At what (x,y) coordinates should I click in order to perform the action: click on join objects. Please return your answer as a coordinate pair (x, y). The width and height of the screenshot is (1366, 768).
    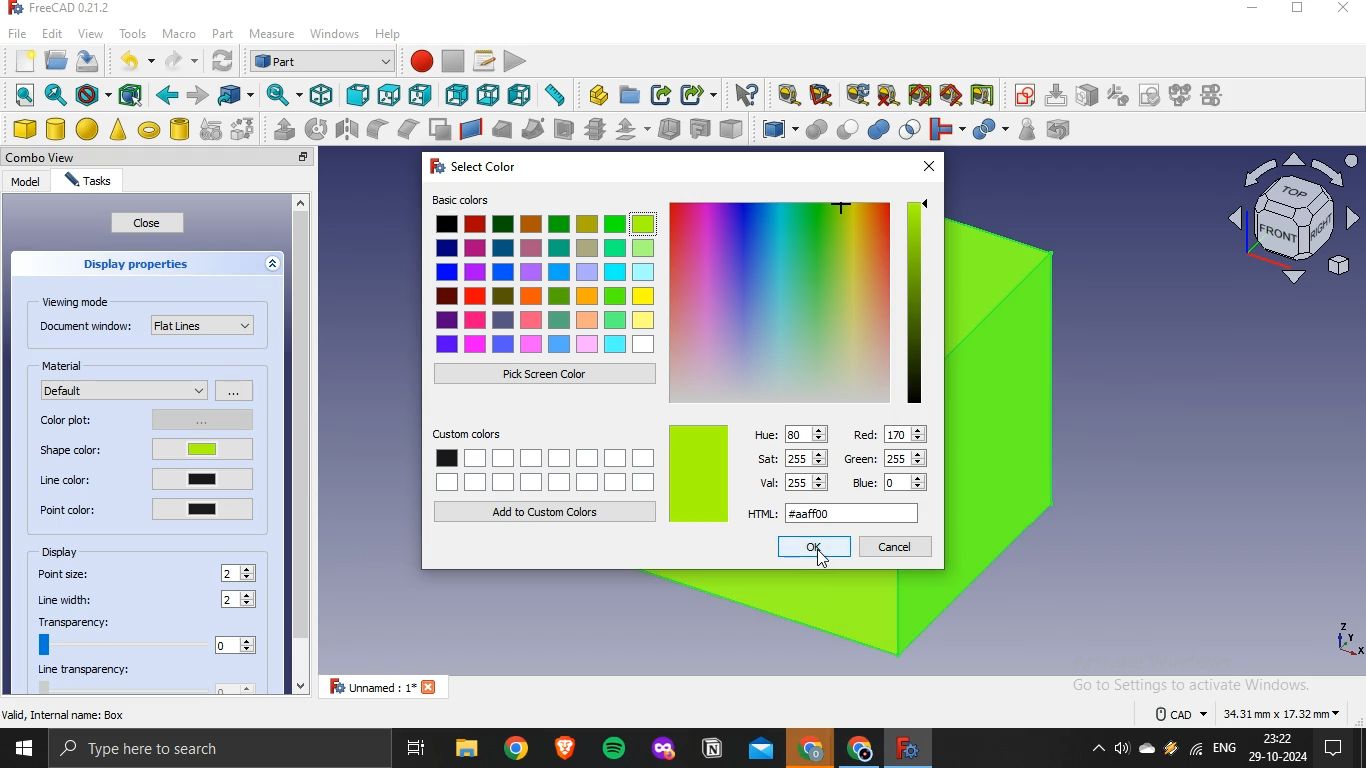
    Looking at the image, I should click on (945, 127).